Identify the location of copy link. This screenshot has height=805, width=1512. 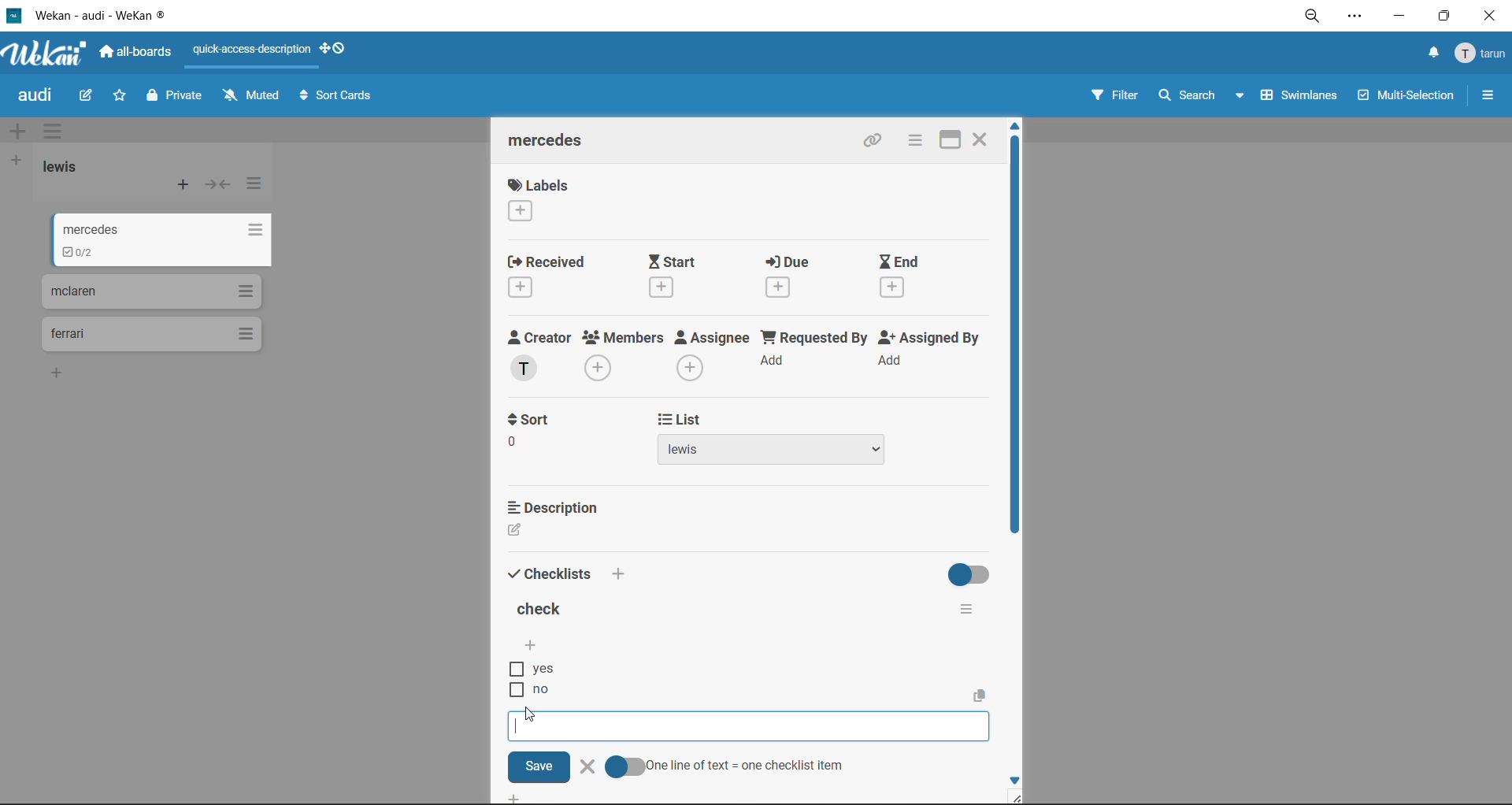
(869, 143).